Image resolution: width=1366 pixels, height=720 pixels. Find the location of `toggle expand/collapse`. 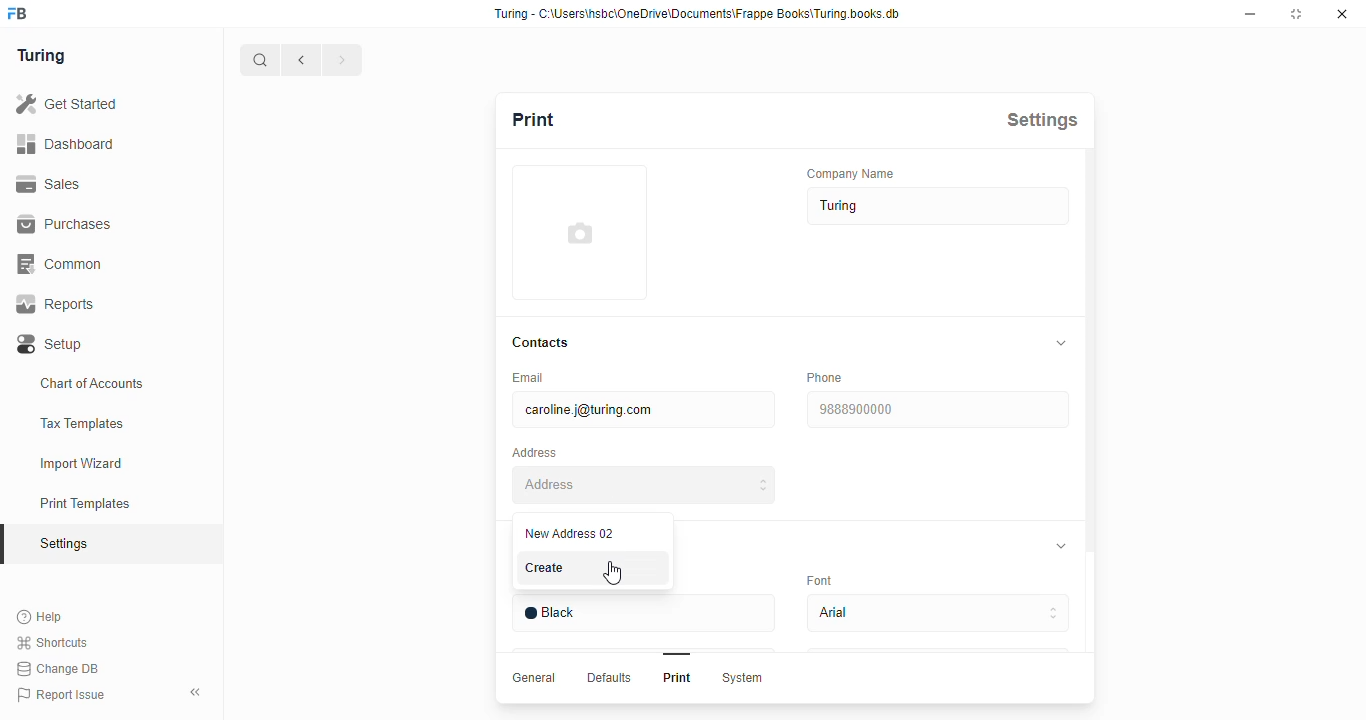

toggle expand/collapse is located at coordinates (1062, 545).